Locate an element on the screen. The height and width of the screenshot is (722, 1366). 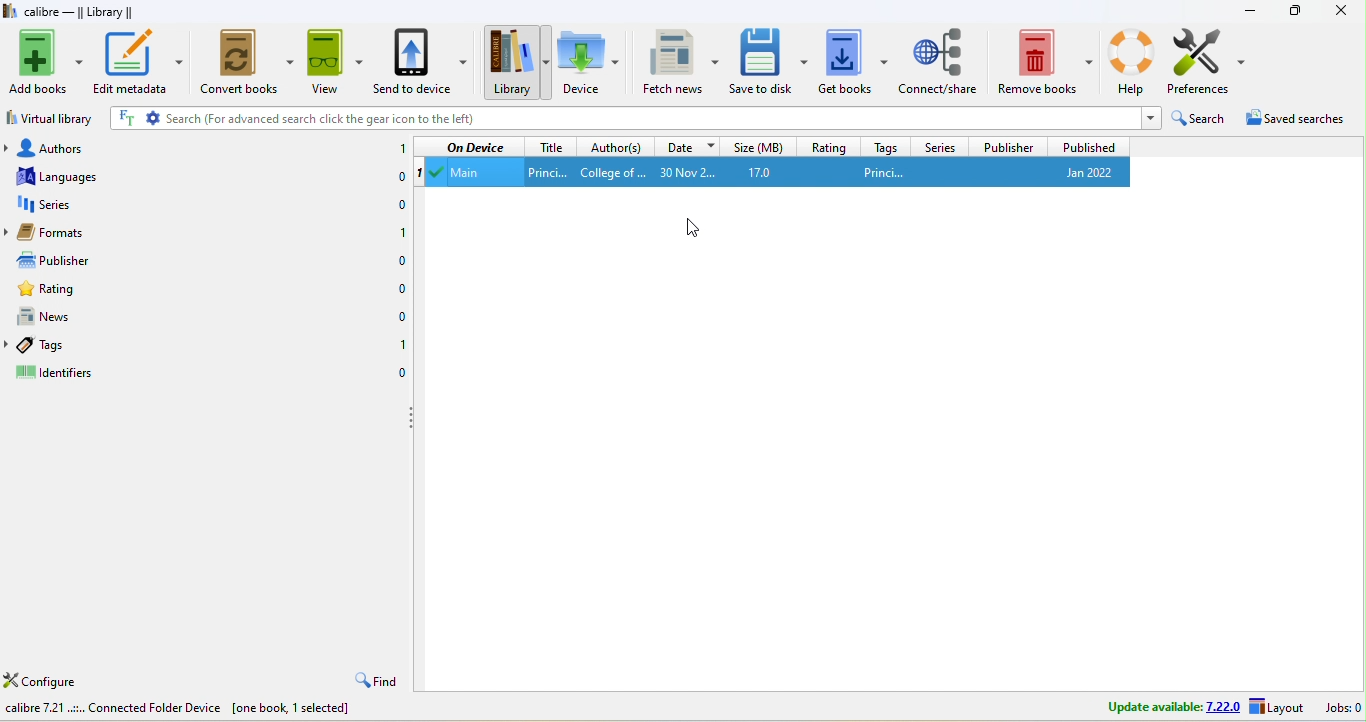
0 is located at coordinates (401, 374).